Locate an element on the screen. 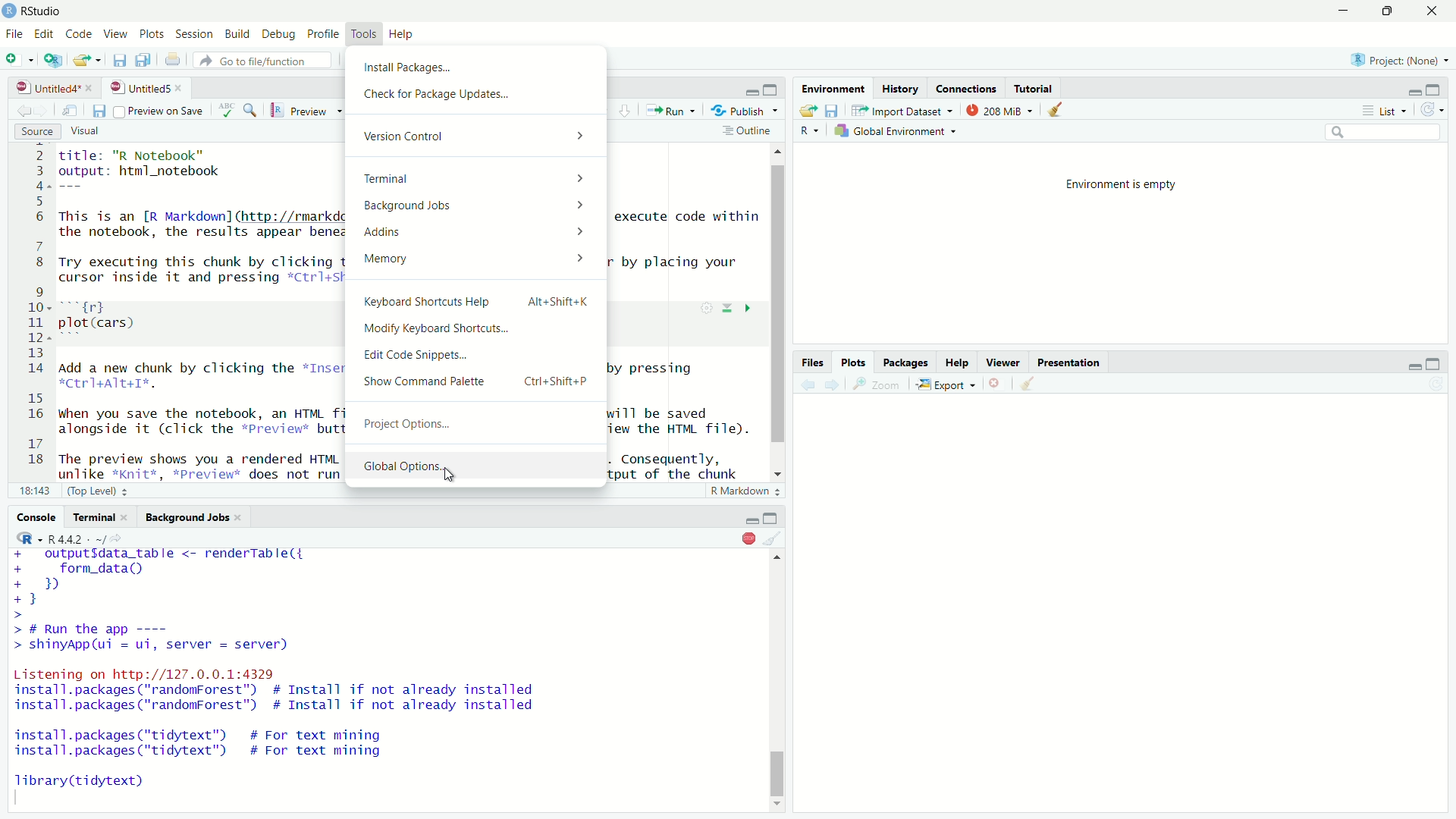 The image size is (1456, 819). maximize is located at coordinates (1437, 89).